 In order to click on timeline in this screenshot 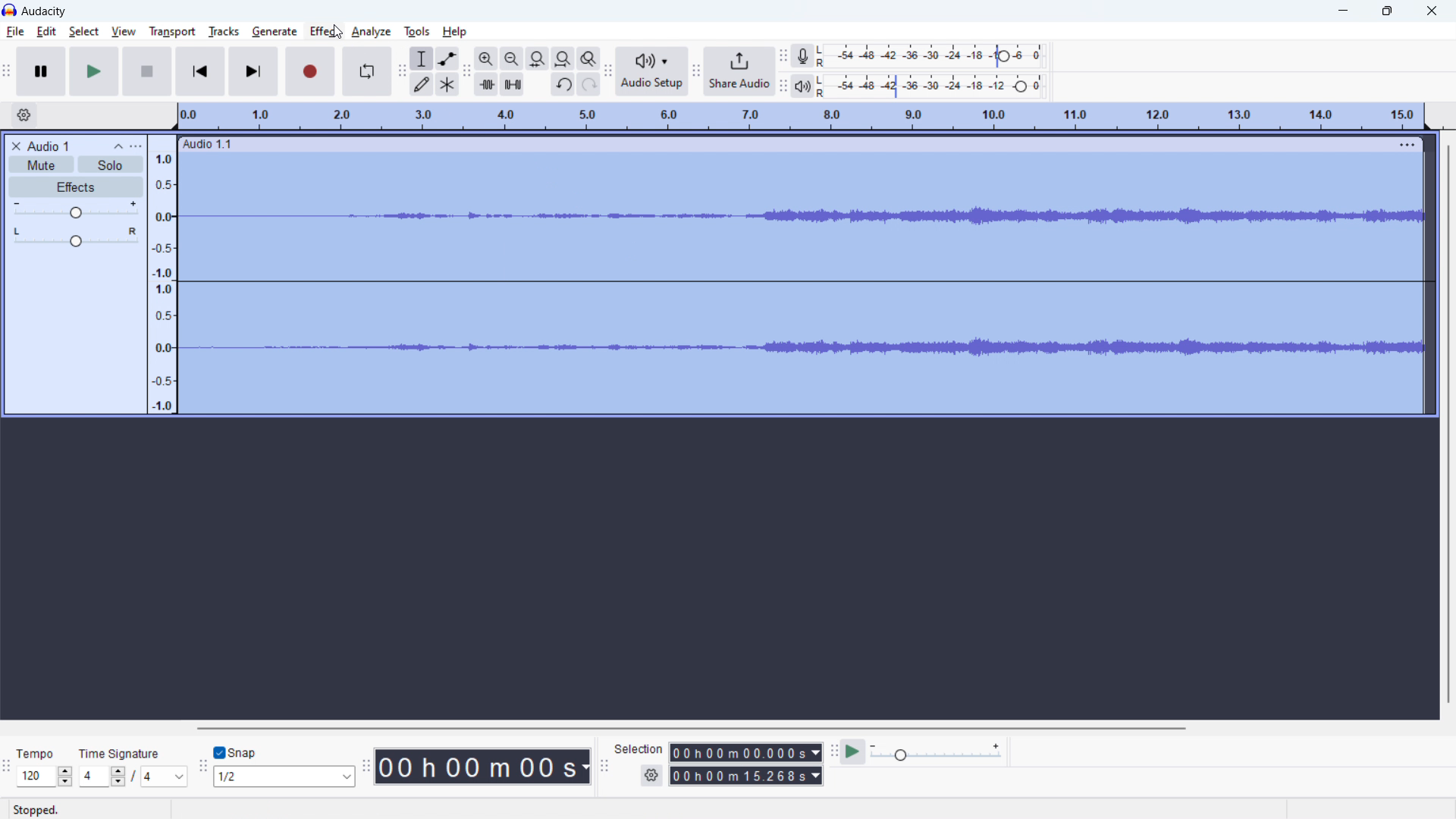, I will do `click(803, 117)`.